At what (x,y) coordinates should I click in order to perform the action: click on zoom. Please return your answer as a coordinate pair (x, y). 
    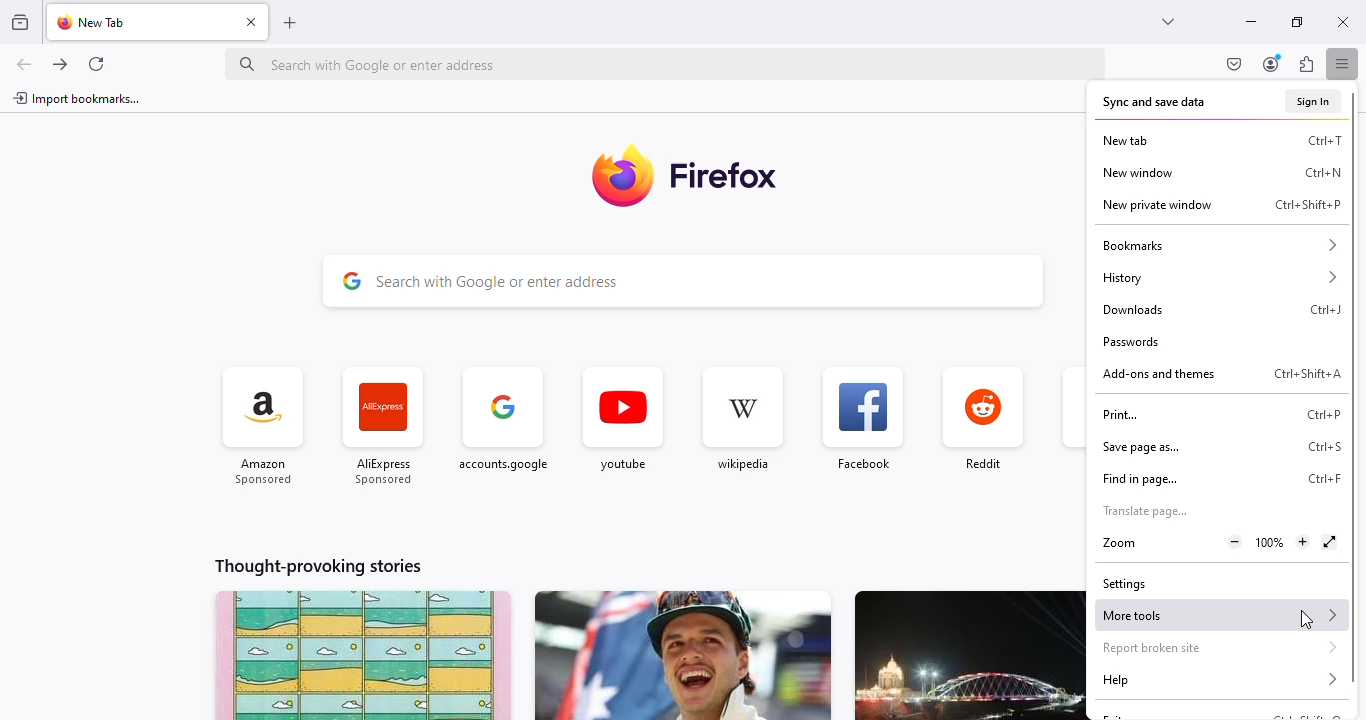
    Looking at the image, I should click on (1118, 544).